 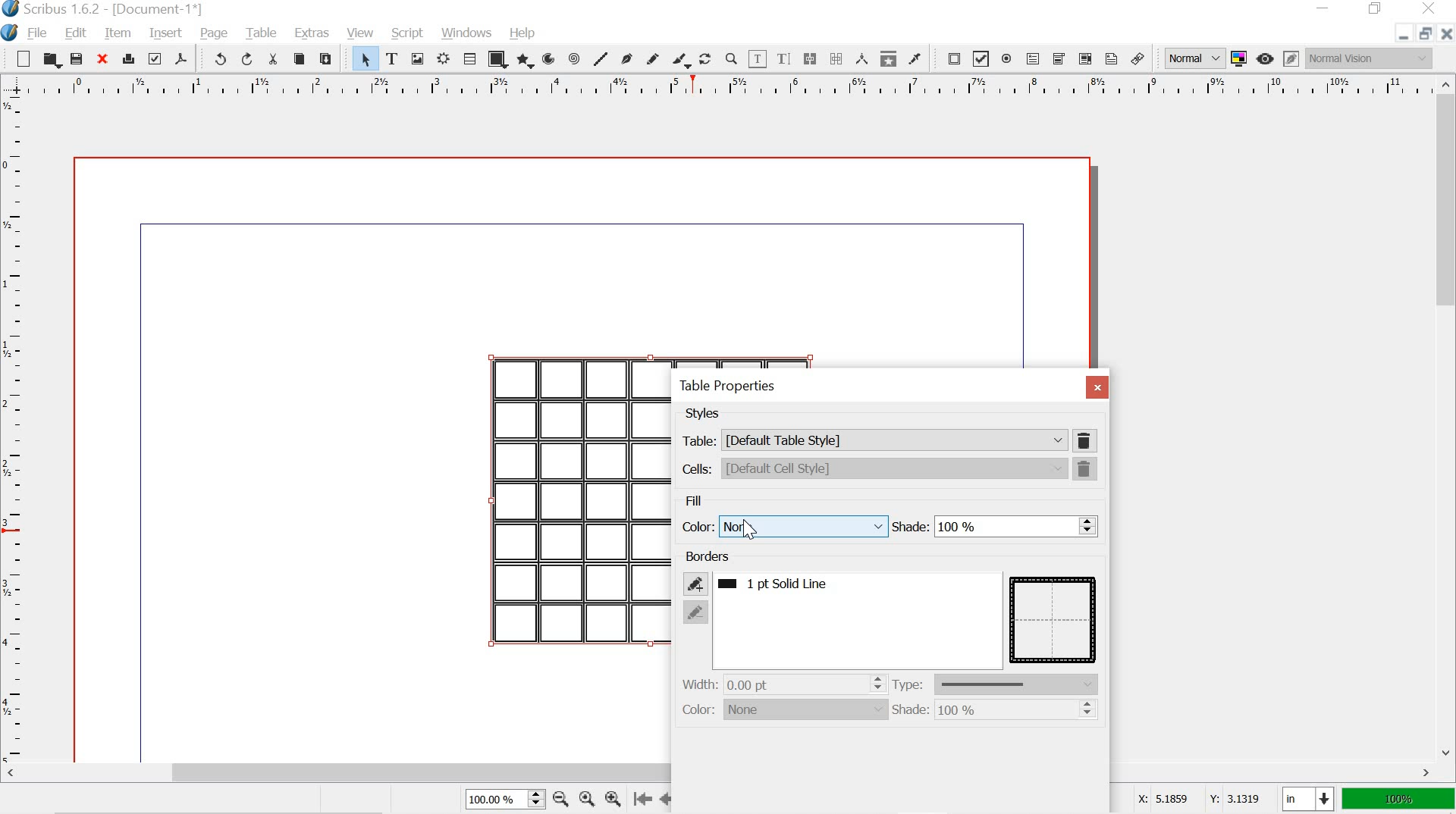 I want to click on 1pt solid line, so click(x=789, y=585).